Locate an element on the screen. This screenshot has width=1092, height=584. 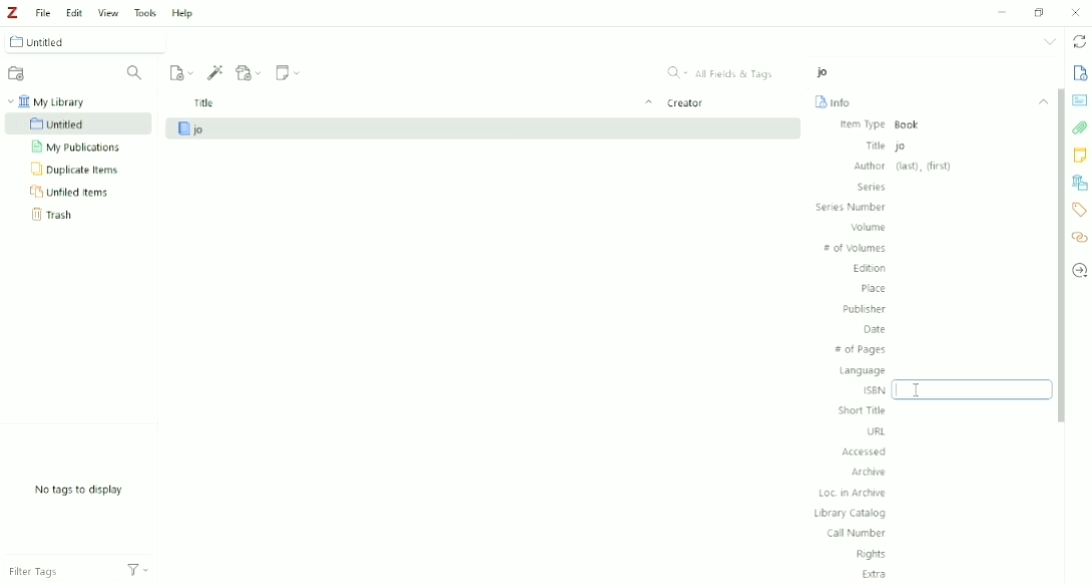
File is located at coordinates (42, 12).